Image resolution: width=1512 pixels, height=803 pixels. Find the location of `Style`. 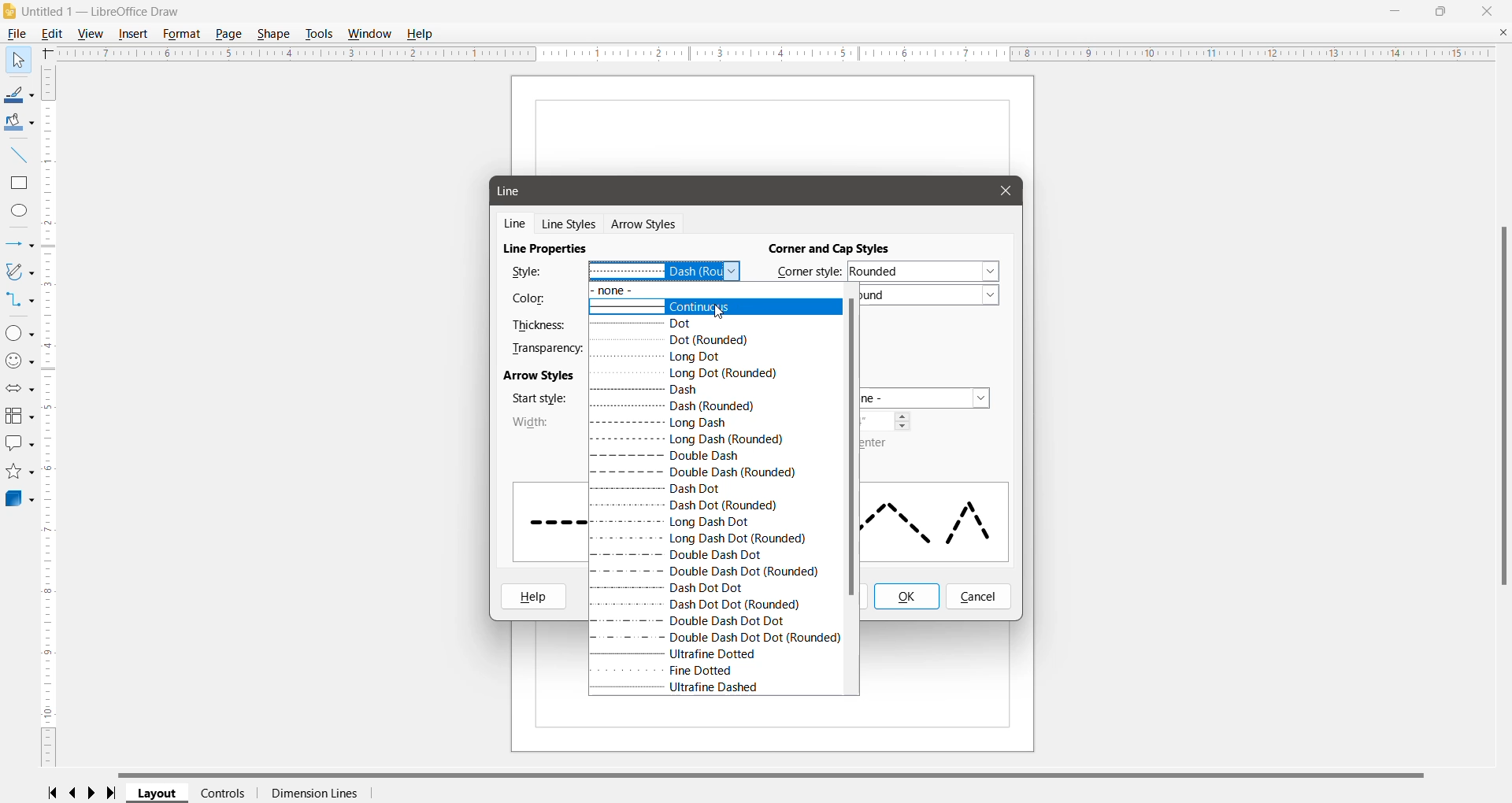

Style is located at coordinates (528, 272).